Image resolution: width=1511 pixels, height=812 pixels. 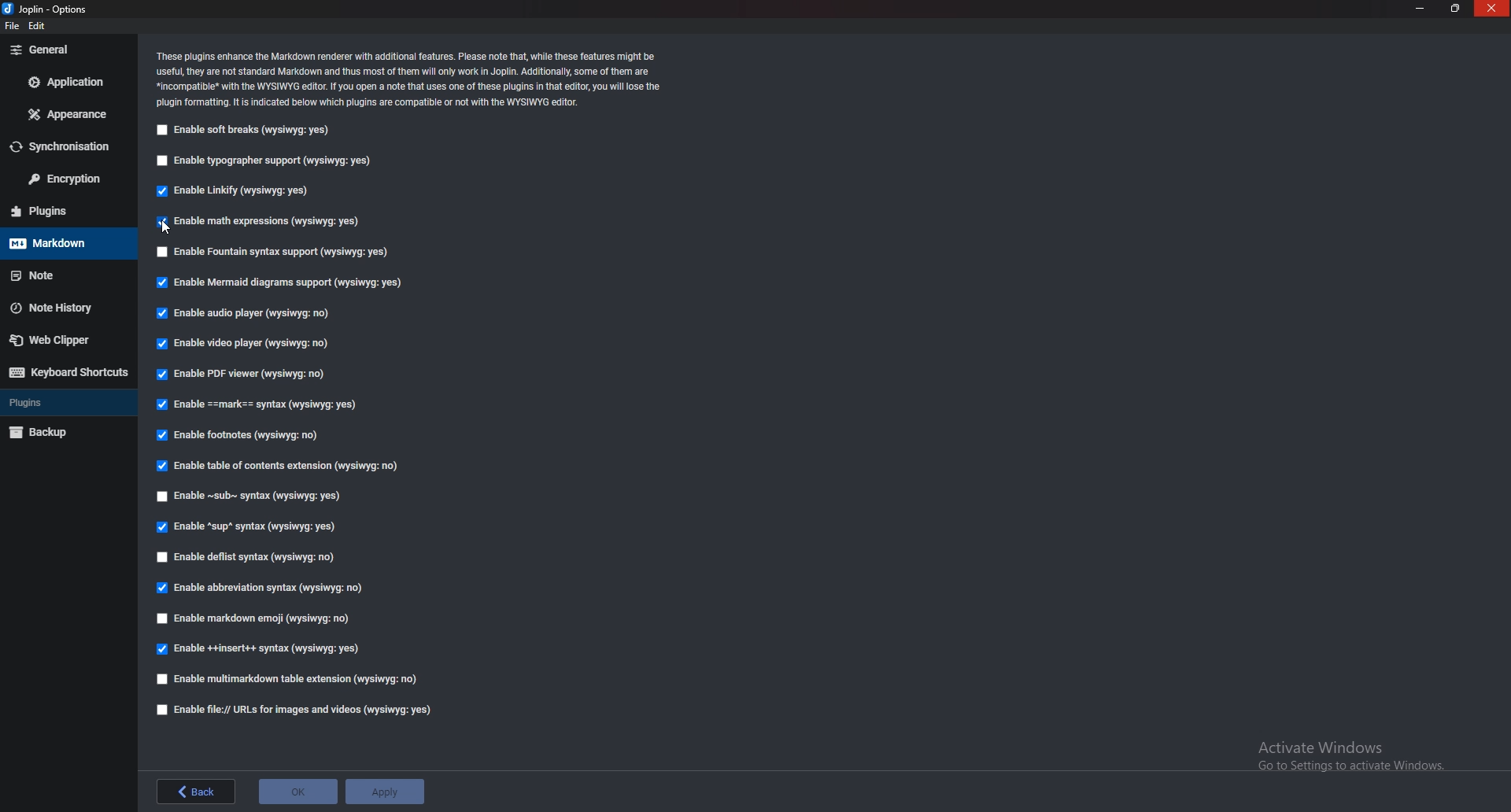 I want to click on Enable sup syntax, so click(x=246, y=526).